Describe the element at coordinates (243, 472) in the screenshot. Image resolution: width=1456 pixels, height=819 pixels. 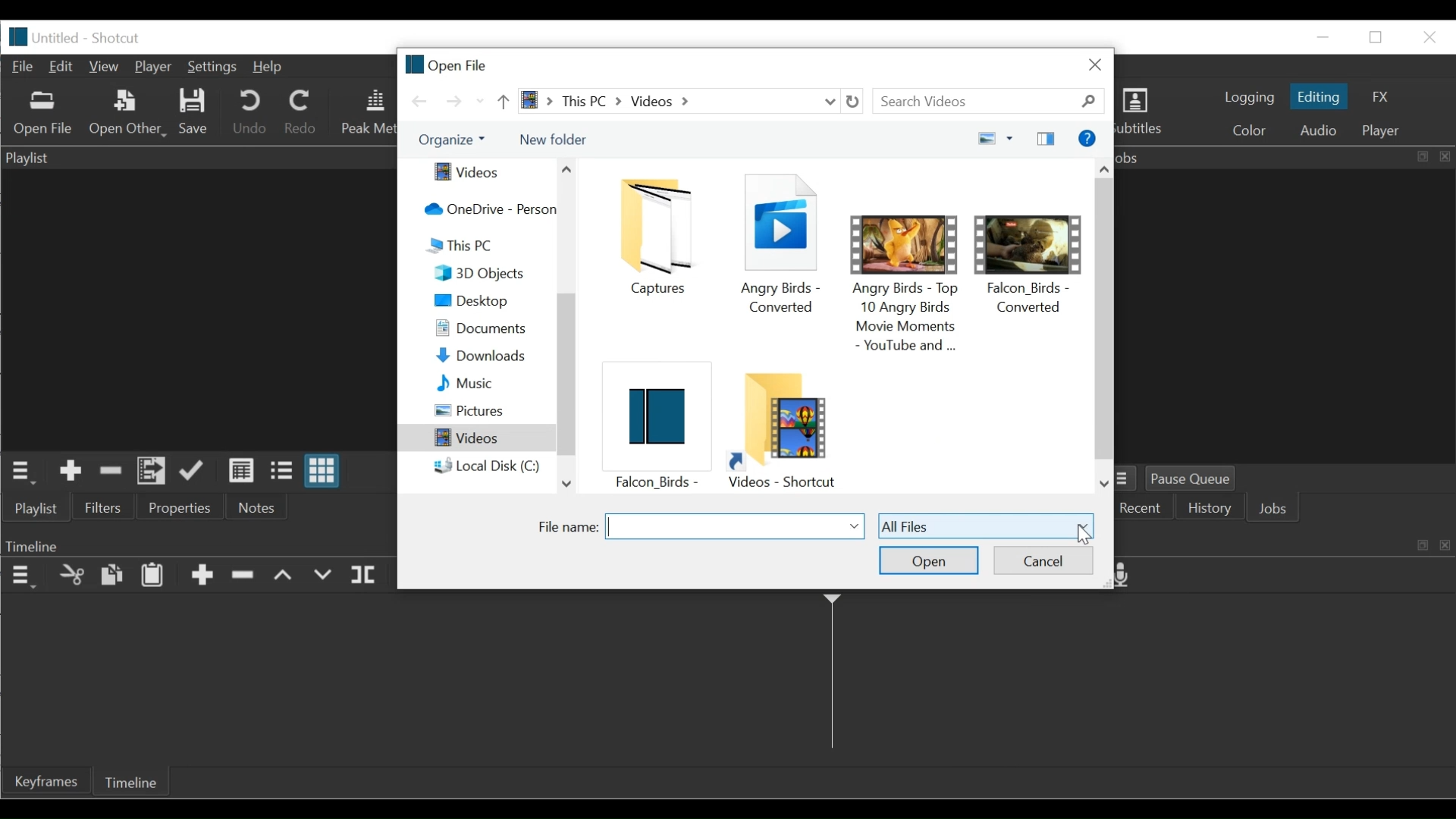
I see `View as details` at that location.